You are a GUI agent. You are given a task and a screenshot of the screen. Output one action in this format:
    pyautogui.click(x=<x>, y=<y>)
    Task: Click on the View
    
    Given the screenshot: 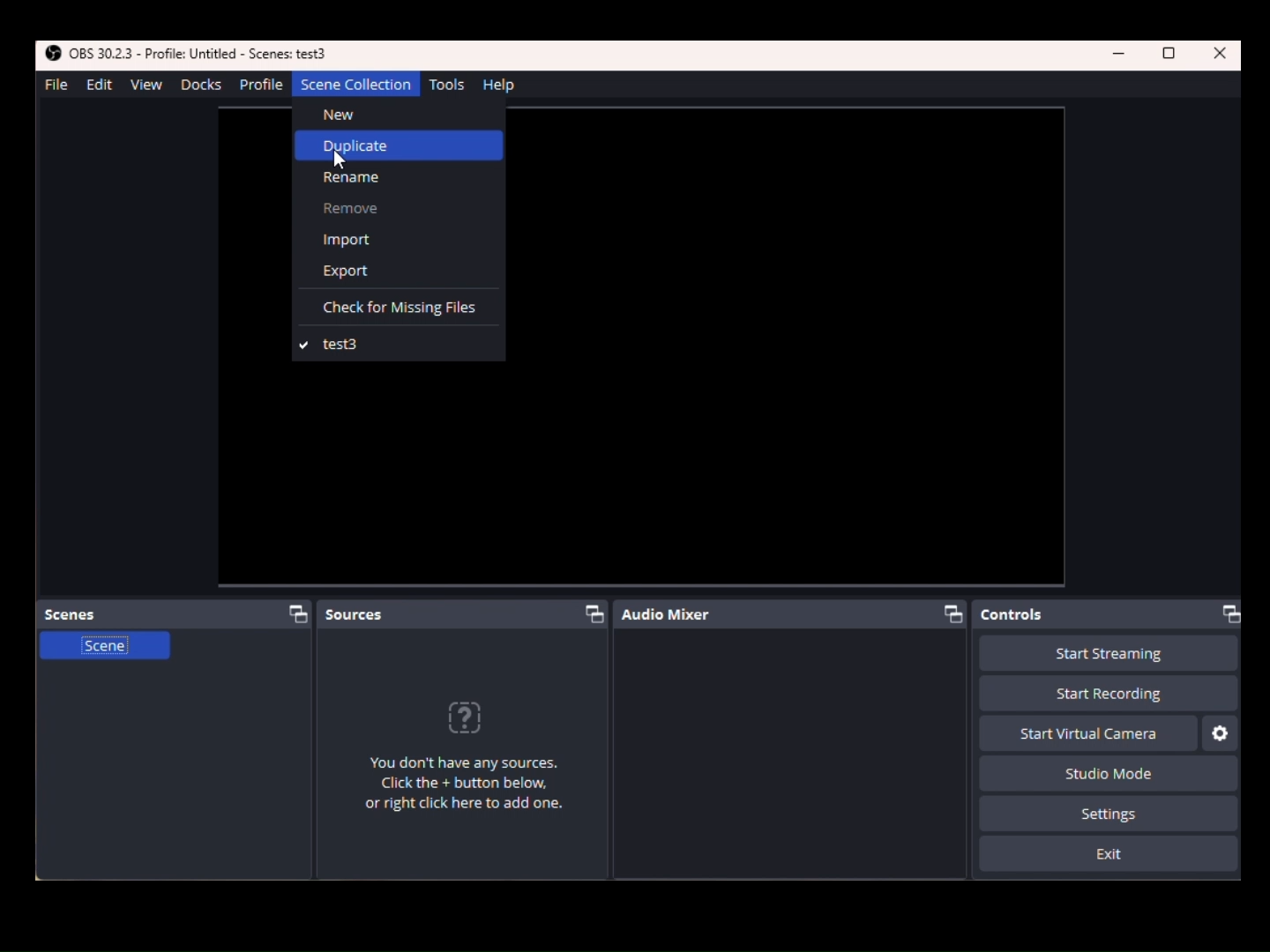 What is the action you would take?
    pyautogui.click(x=150, y=86)
    